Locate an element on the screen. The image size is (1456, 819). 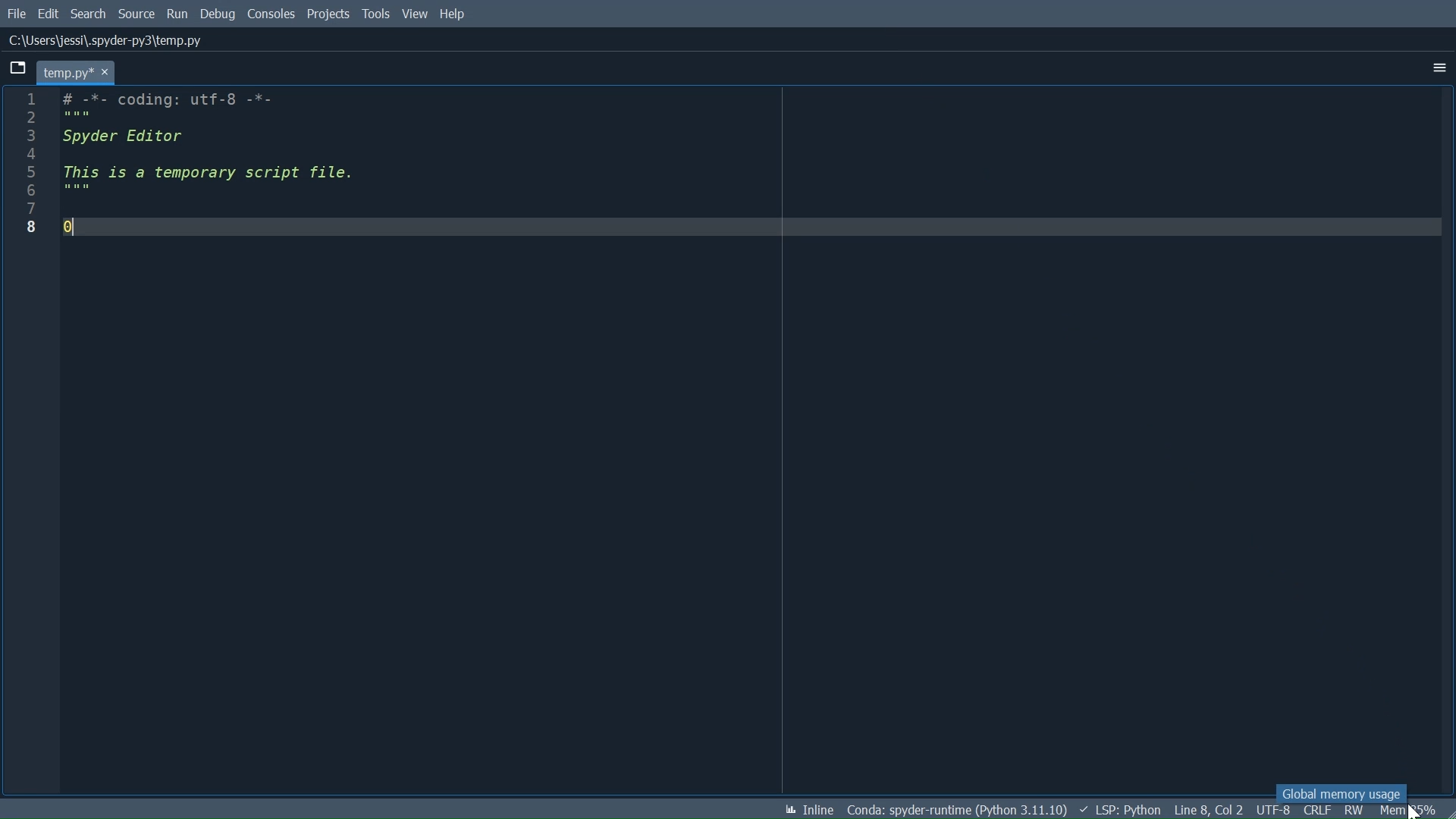
c\users\jessi\.spyder-py3\temp.py is located at coordinates (143, 42).